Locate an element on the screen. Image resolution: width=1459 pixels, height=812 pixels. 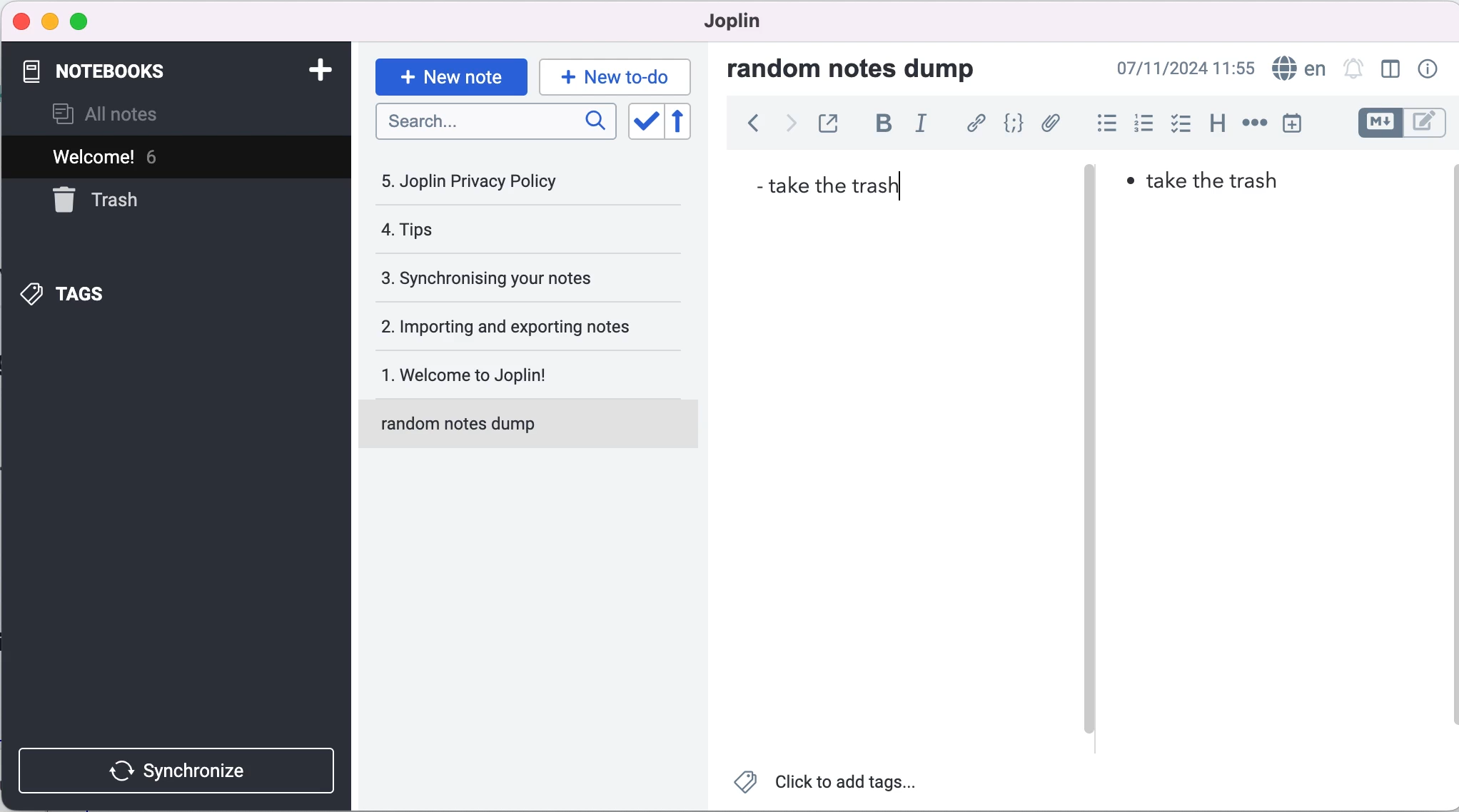
bold is located at coordinates (879, 126).